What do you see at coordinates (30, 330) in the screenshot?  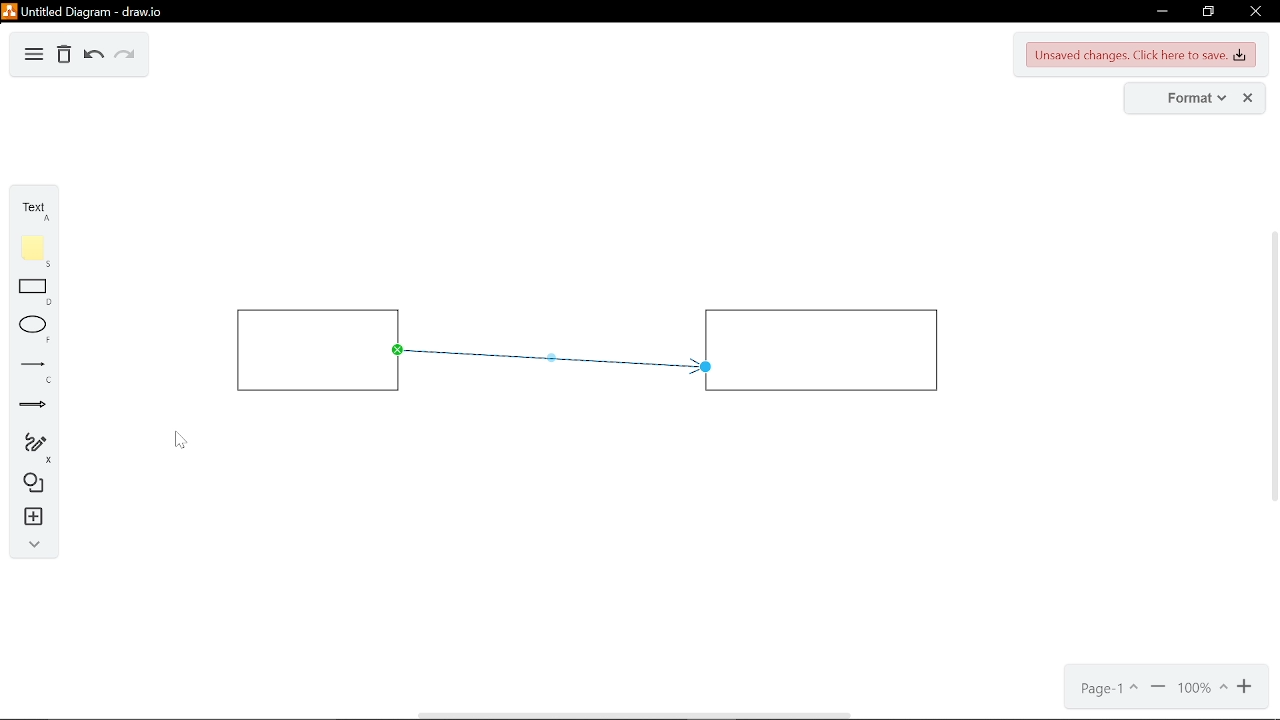 I see `ellipse` at bounding box center [30, 330].